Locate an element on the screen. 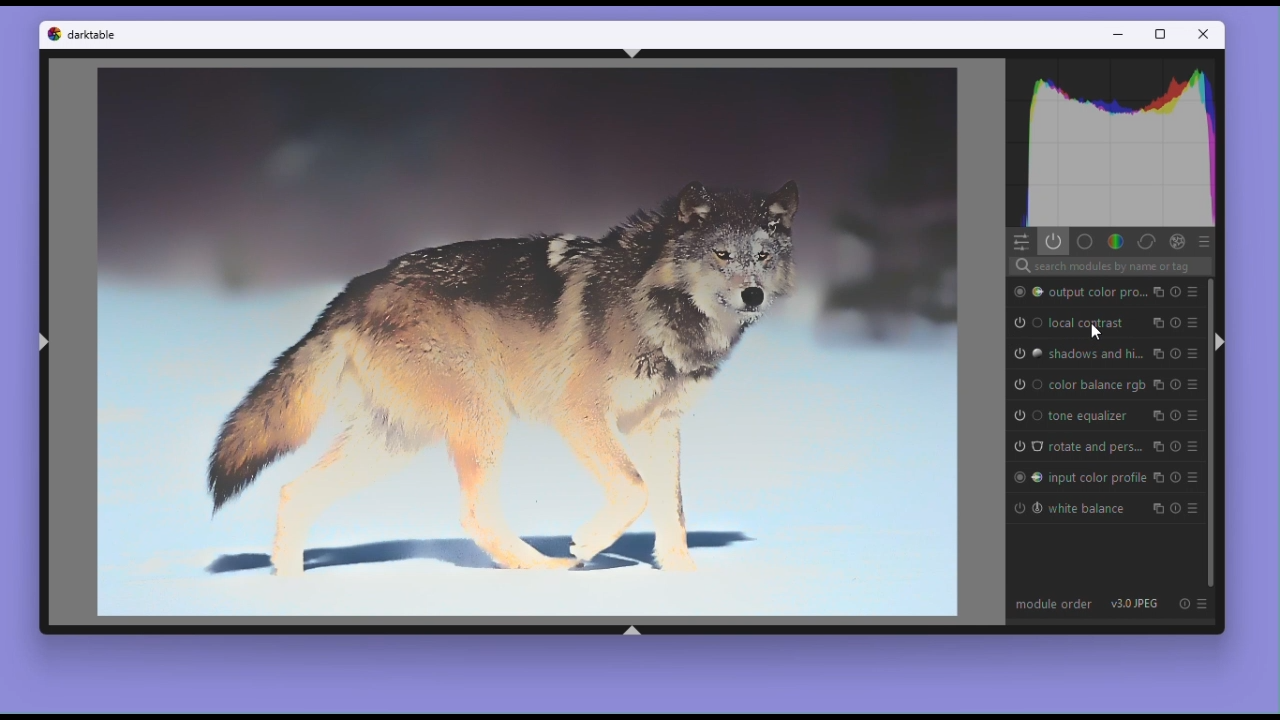 The height and width of the screenshot is (720, 1280). shift+ctrl+l is located at coordinates (42, 346).